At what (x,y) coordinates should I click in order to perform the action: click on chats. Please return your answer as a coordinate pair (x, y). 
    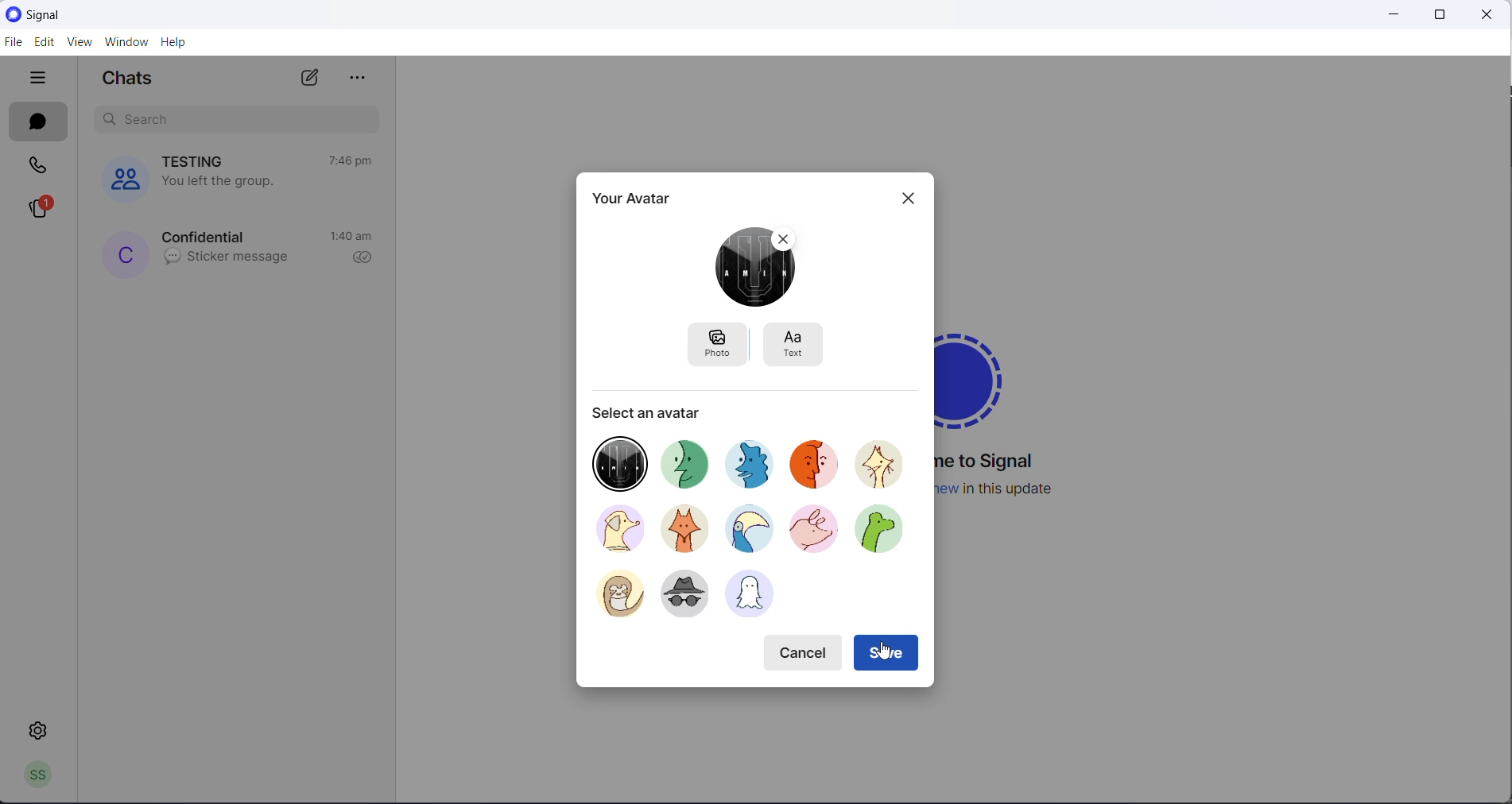
    Looking at the image, I should click on (38, 122).